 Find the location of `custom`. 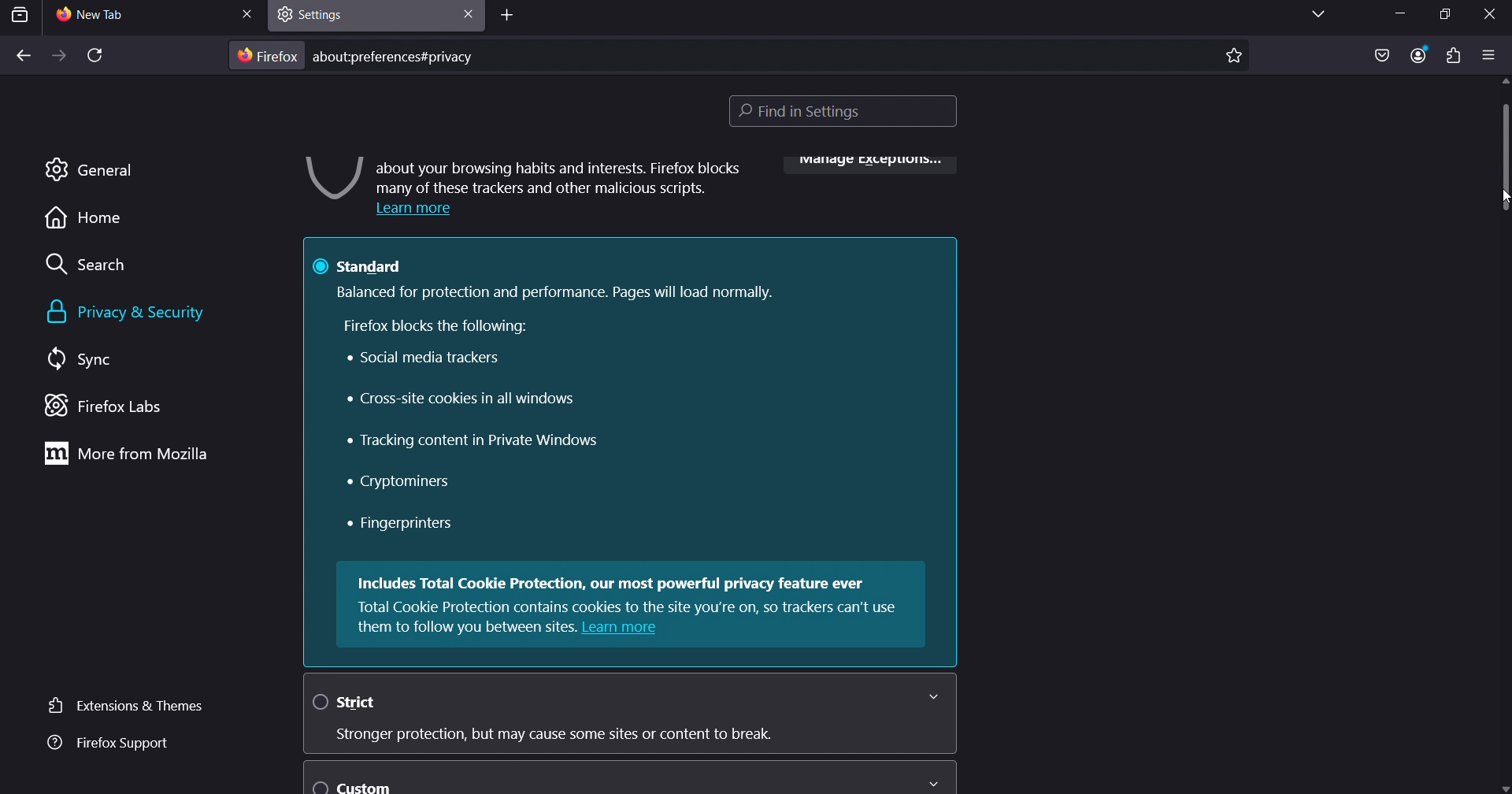

custom is located at coordinates (627, 777).